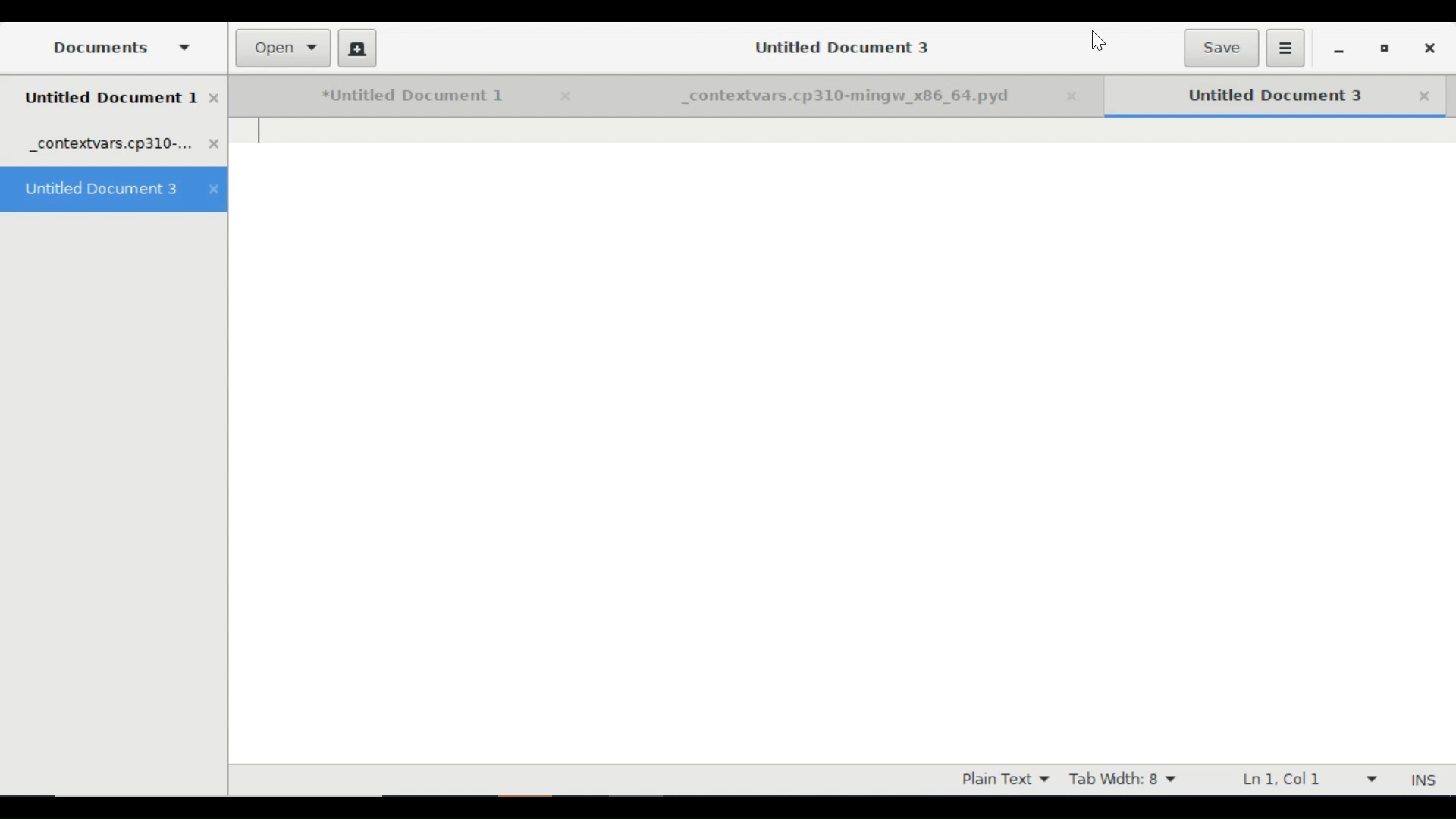 Image resolution: width=1456 pixels, height=819 pixels. I want to click on New File, so click(356, 48).